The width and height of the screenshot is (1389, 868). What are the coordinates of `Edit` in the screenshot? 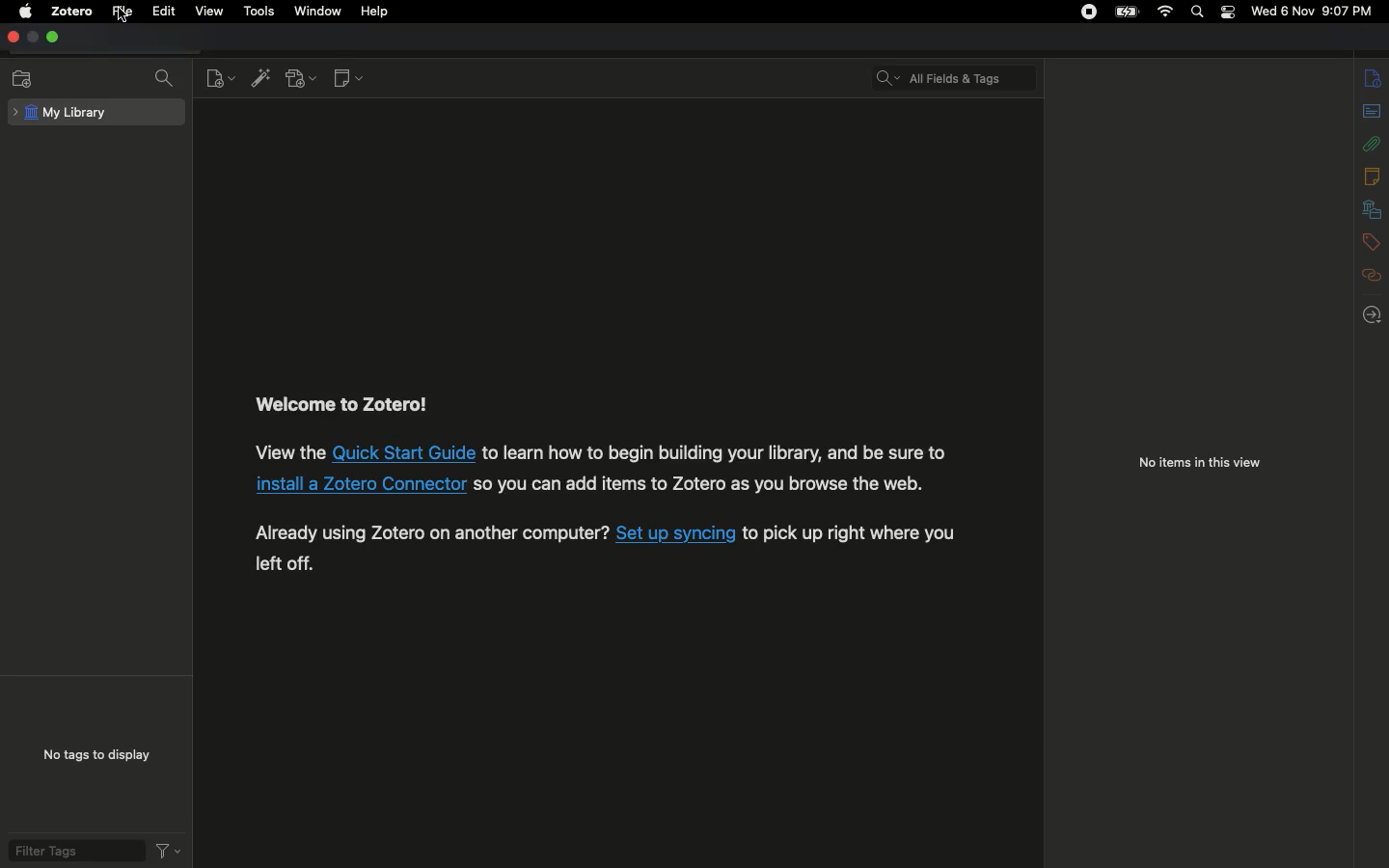 It's located at (164, 14).